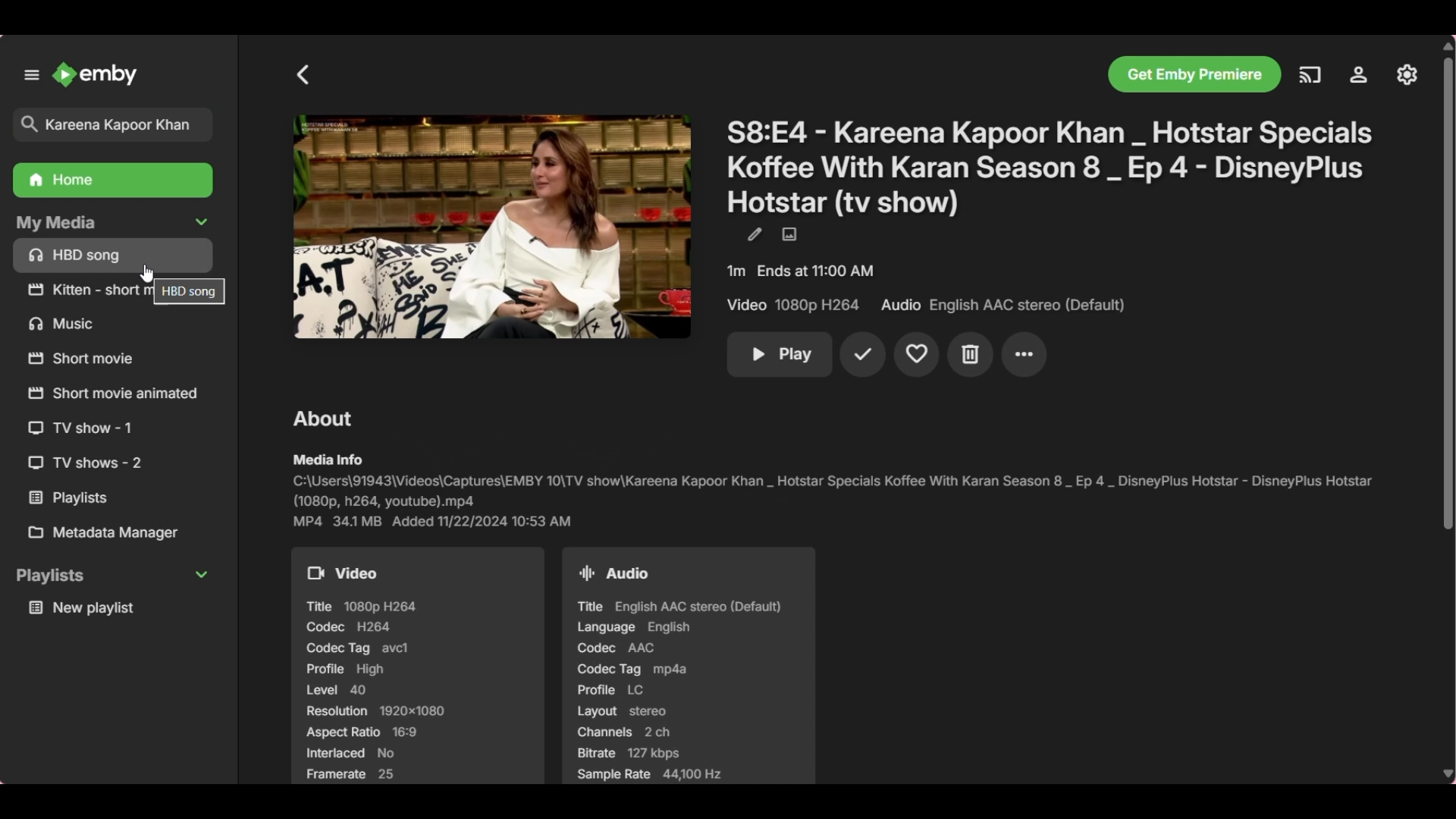 Image resolution: width=1456 pixels, height=819 pixels. Describe the element at coordinates (1307, 73) in the screenshot. I see `` at that location.